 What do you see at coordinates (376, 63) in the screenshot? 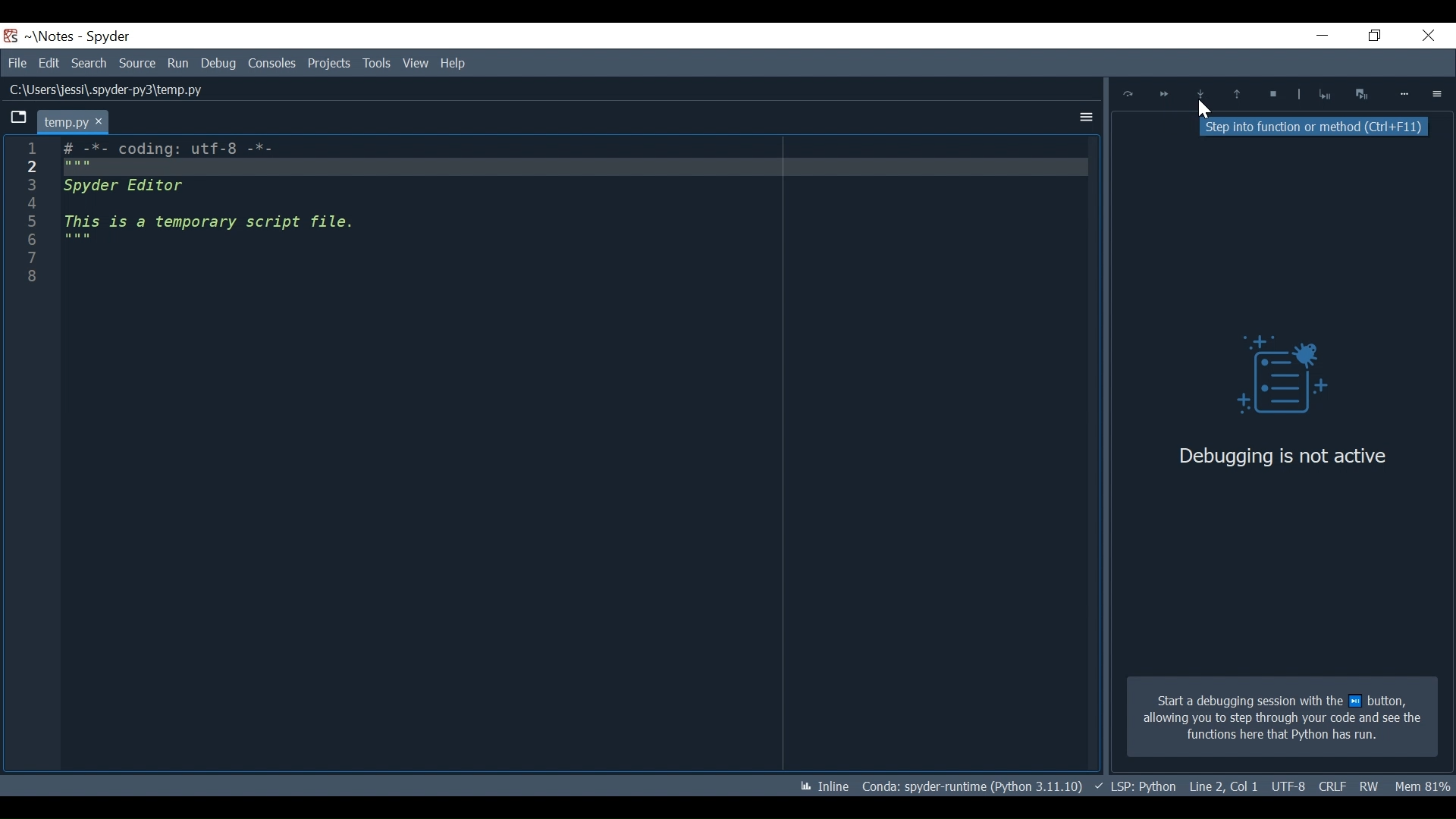
I see `View` at bounding box center [376, 63].